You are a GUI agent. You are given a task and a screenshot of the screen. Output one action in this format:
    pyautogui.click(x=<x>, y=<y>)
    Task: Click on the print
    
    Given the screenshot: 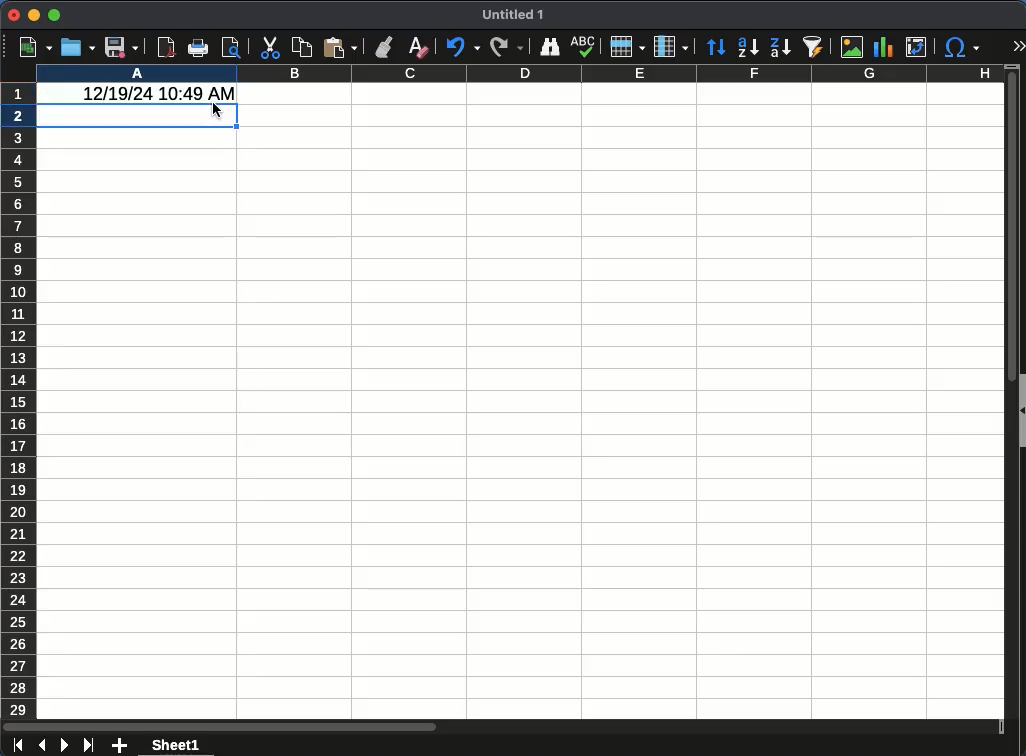 What is the action you would take?
    pyautogui.click(x=199, y=48)
    